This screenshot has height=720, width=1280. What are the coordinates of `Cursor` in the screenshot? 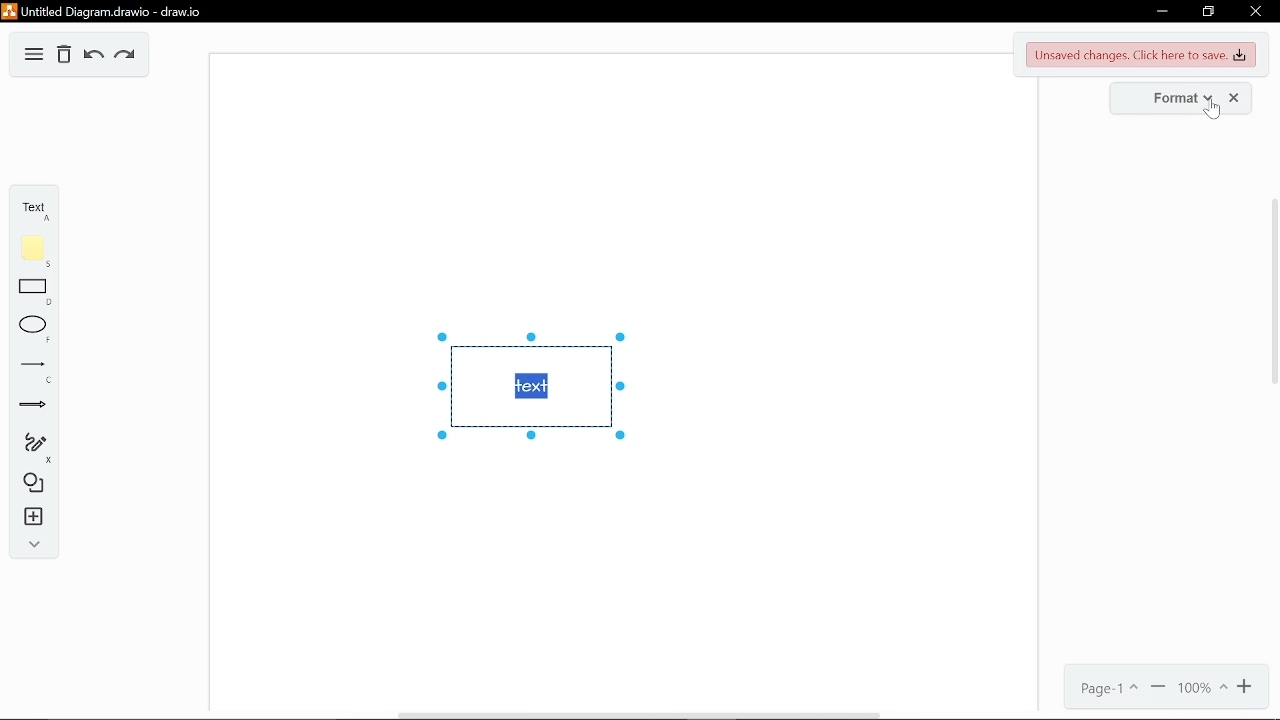 It's located at (1210, 114).